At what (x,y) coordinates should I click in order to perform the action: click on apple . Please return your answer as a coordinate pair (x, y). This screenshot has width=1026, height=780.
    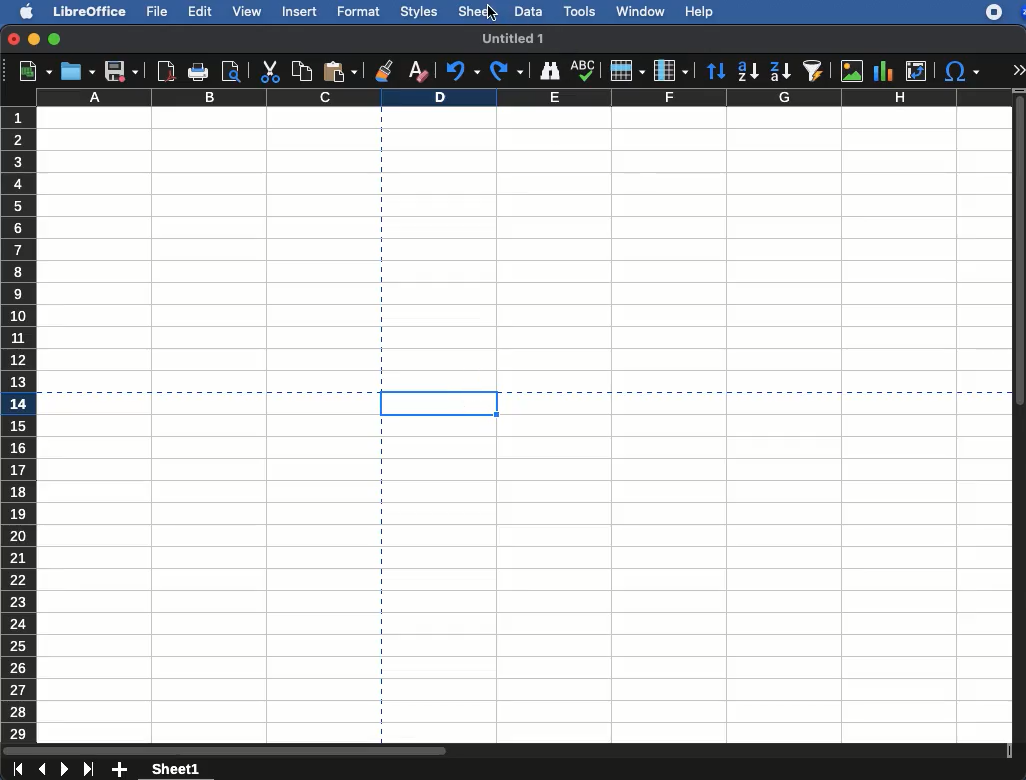
    Looking at the image, I should click on (21, 11).